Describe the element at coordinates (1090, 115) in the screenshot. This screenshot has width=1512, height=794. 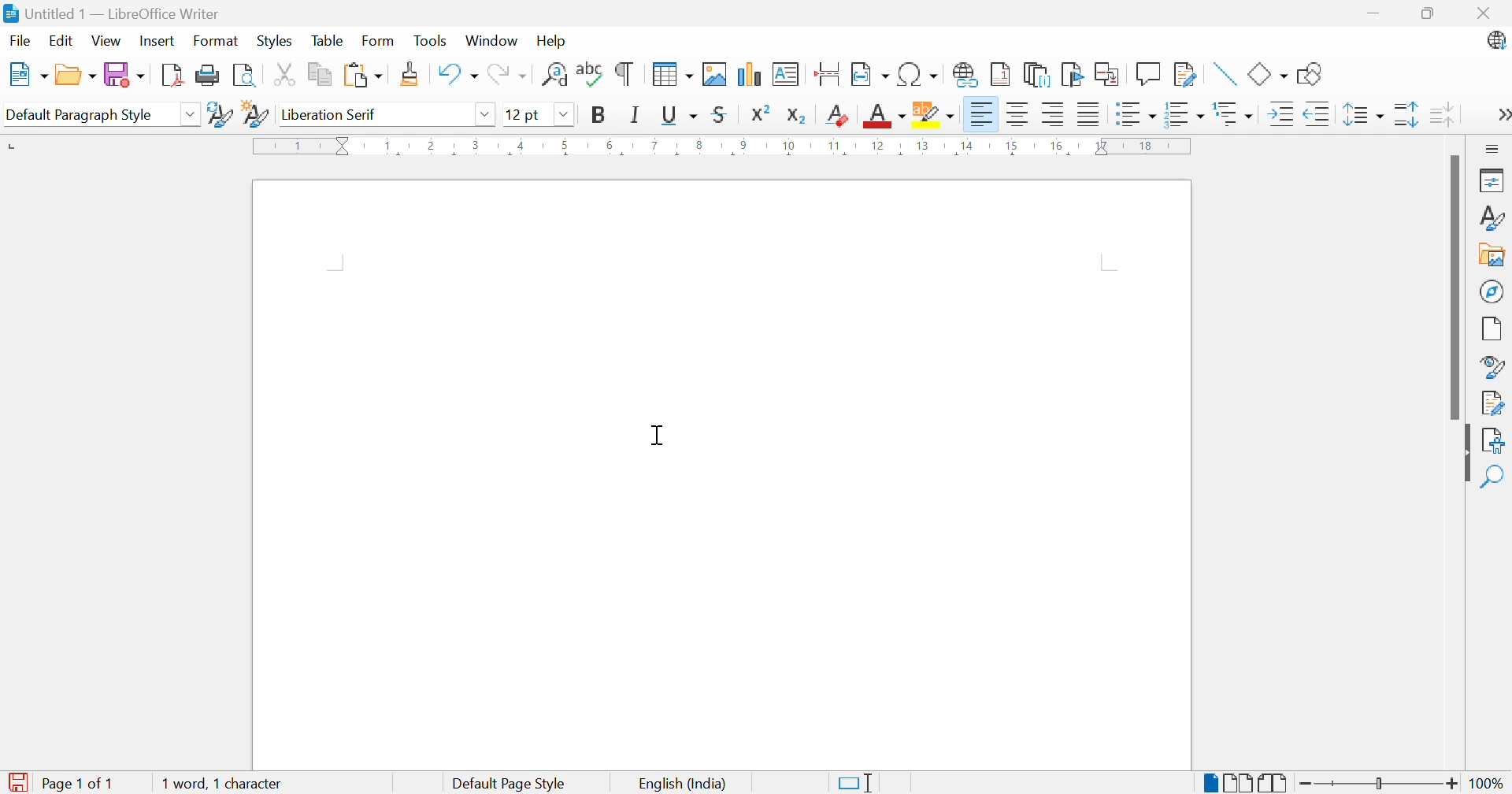
I see `Justified` at that location.